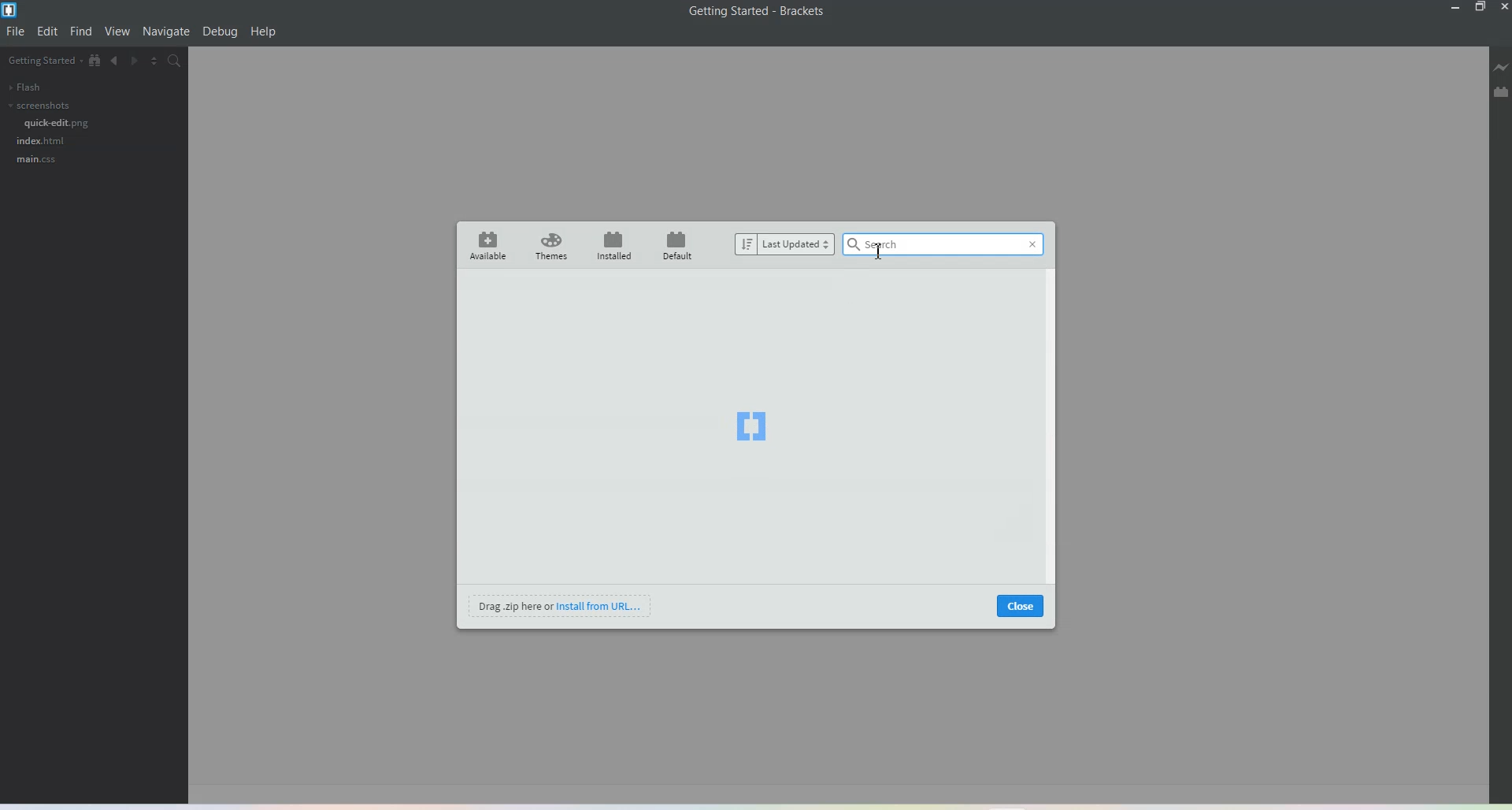 The image size is (1512, 810). I want to click on Text Cursor, so click(879, 251).